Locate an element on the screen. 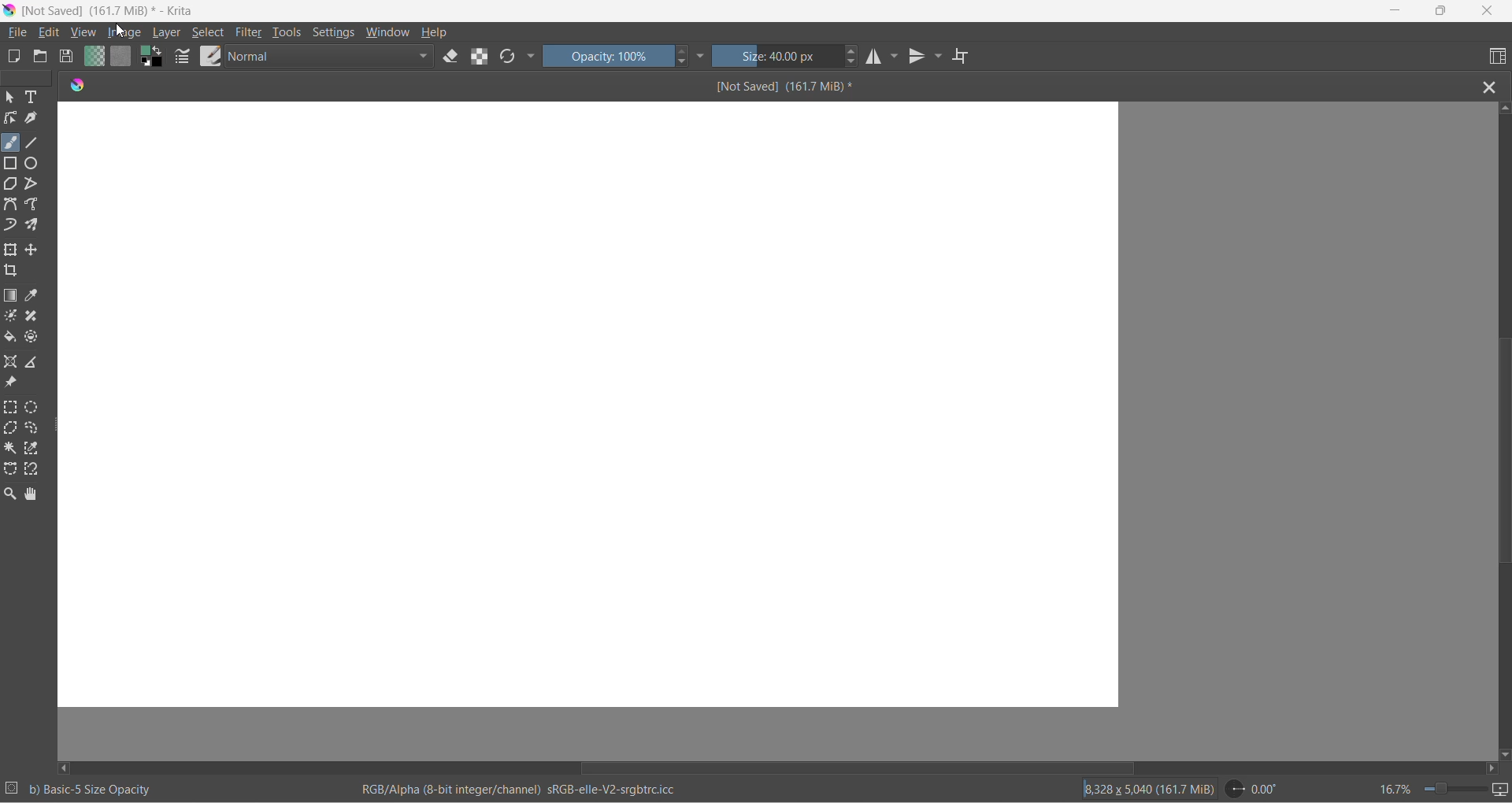 The image size is (1512, 803). dynamic brush tool is located at coordinates (12, 226).